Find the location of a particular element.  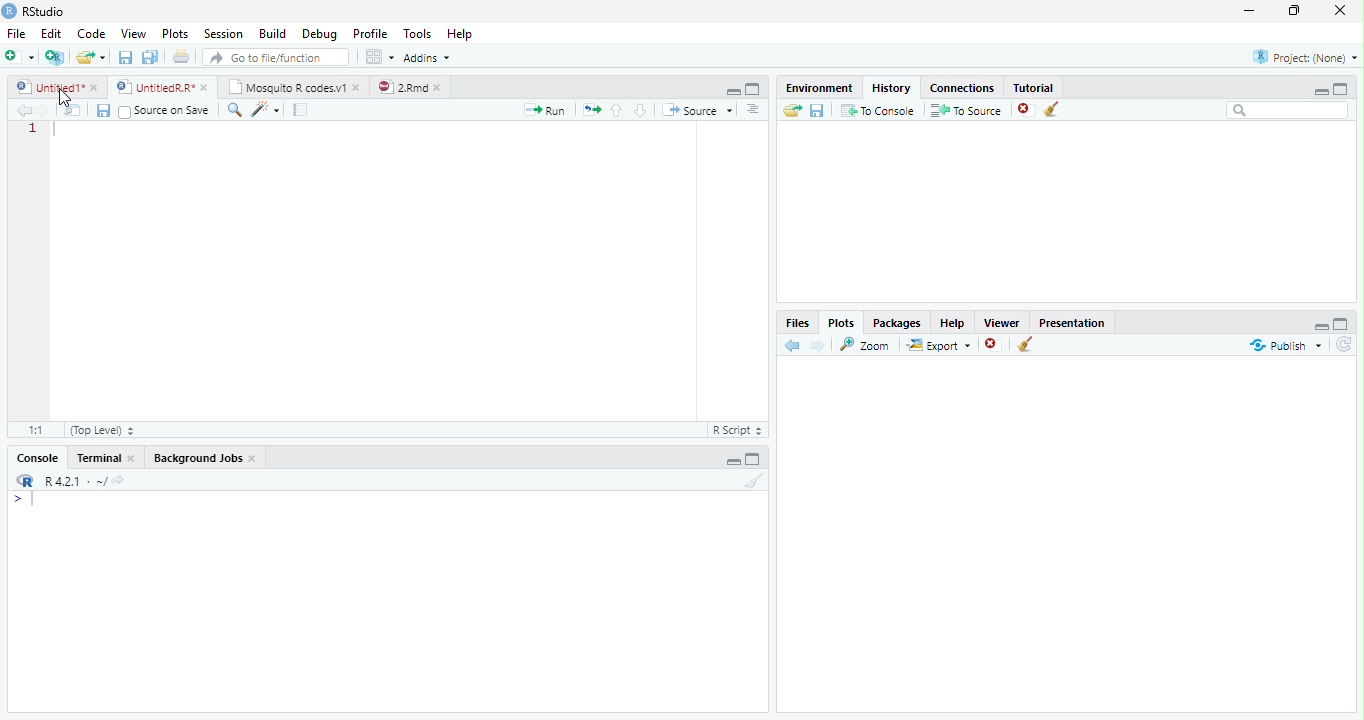

Clear is located at coordinates (1026, 346).